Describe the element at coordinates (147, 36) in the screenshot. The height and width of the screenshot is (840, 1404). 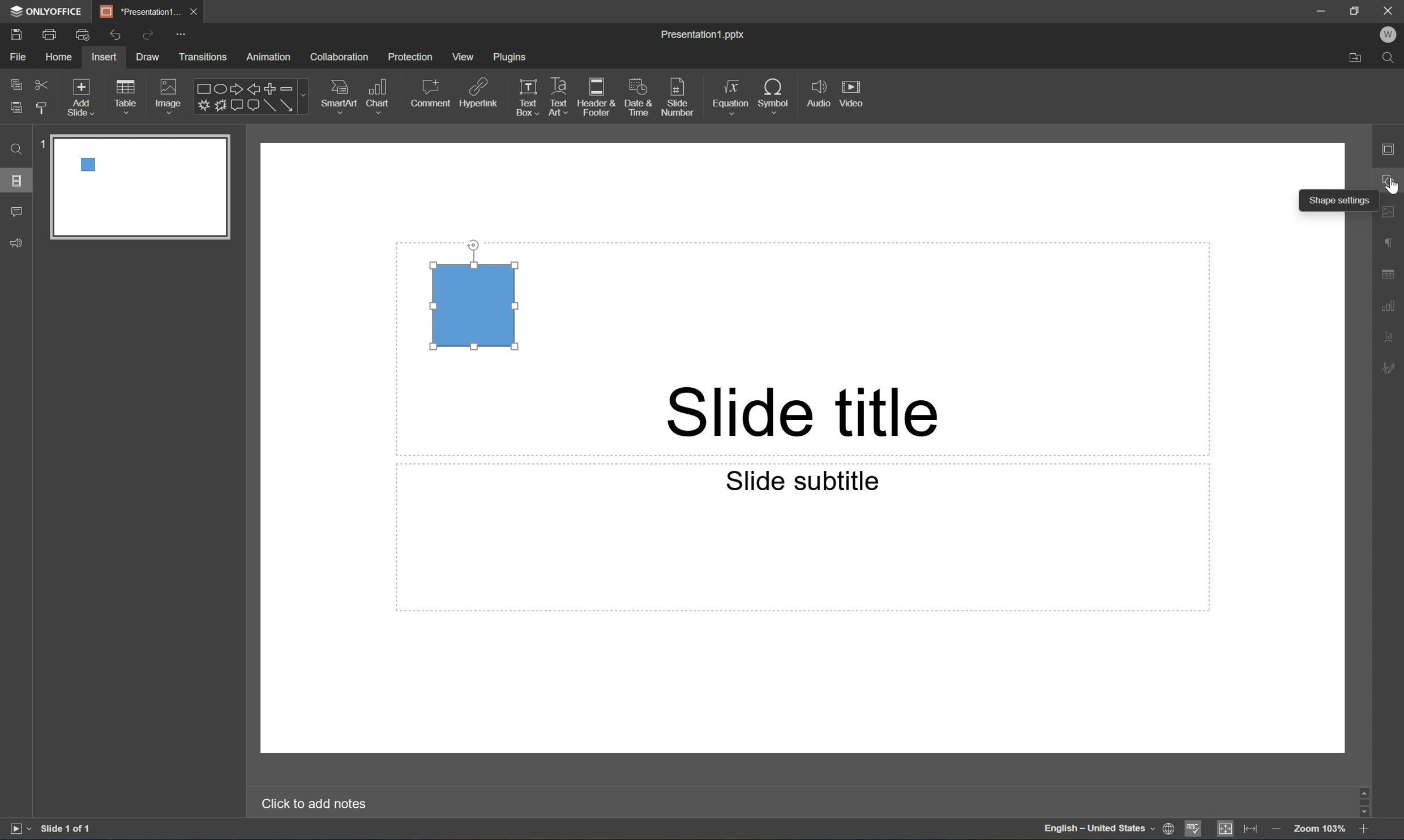
I see `Redo` at that location.